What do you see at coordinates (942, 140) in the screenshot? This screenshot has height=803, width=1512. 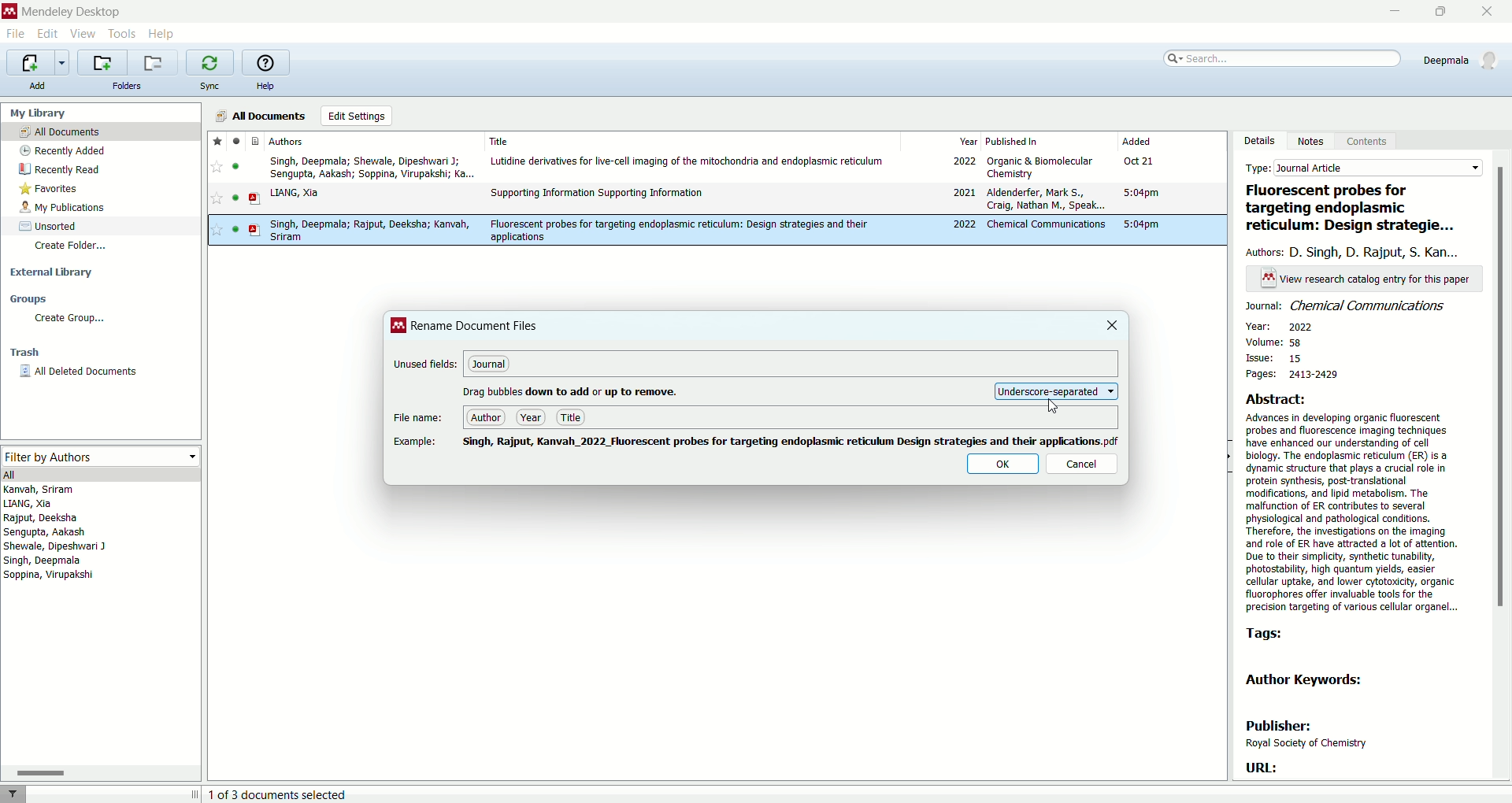 I see `year` at bounding box center [942, 140].